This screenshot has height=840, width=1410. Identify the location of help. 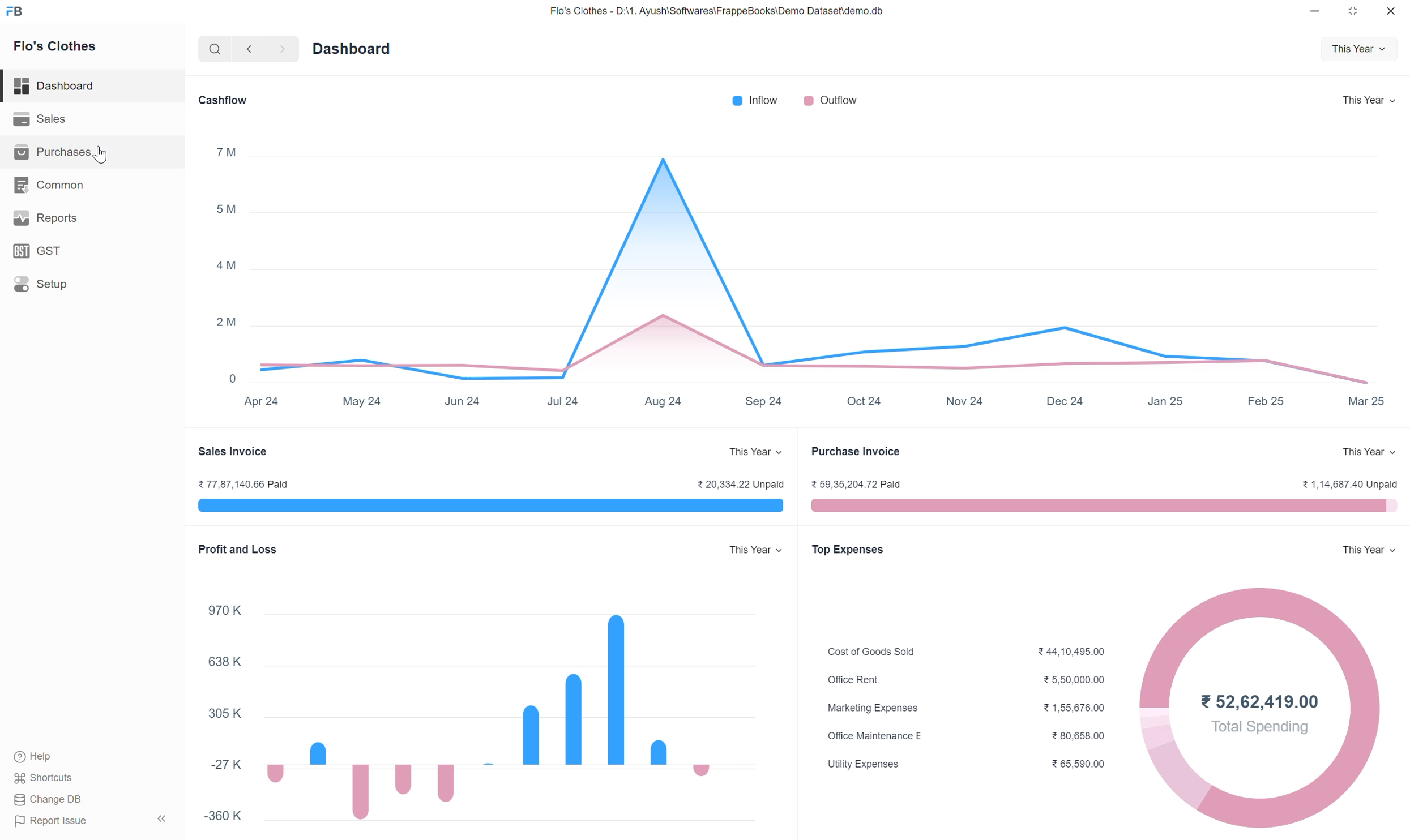
(32, 758).